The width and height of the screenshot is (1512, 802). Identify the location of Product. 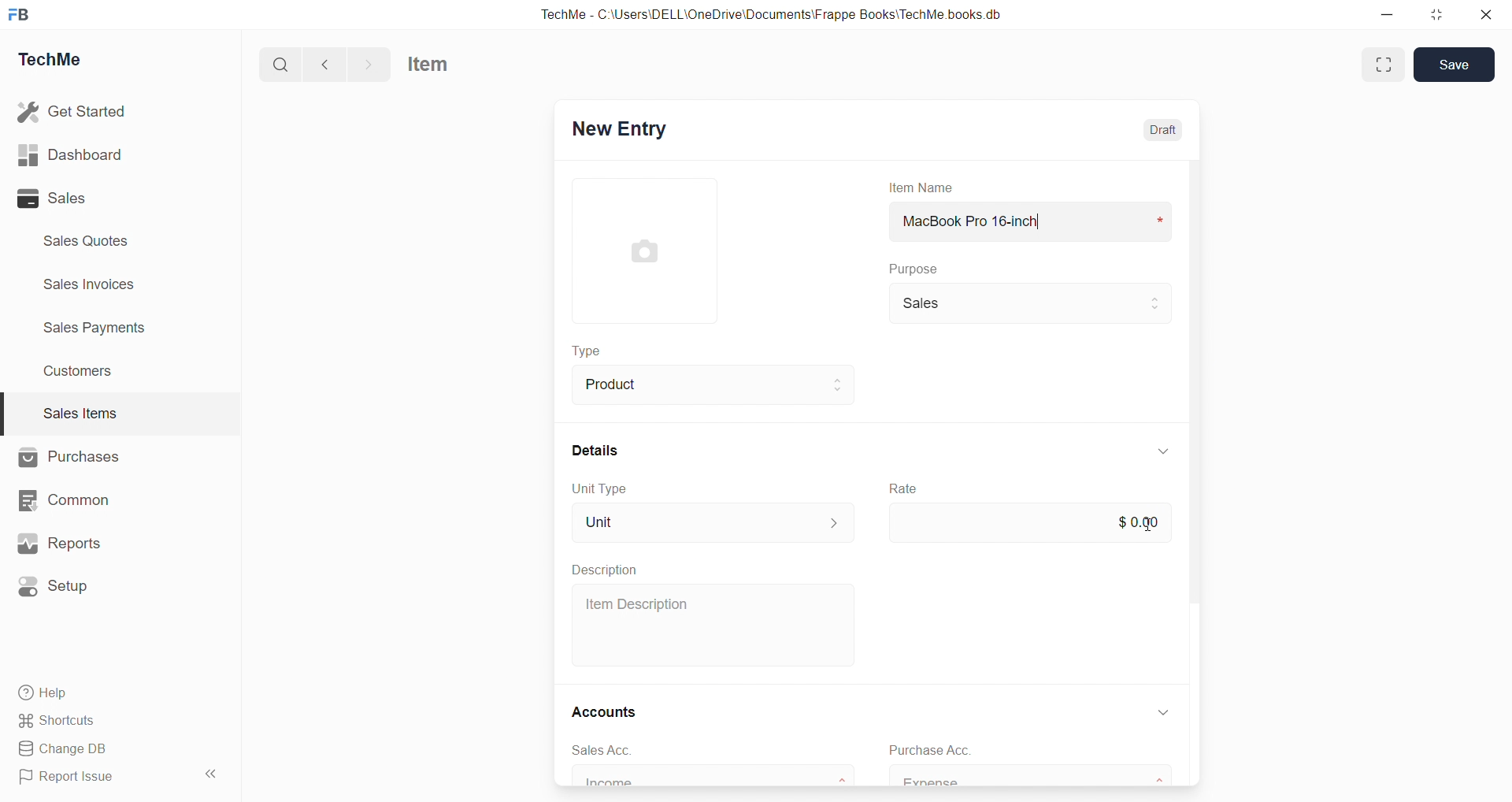
(712, 385).